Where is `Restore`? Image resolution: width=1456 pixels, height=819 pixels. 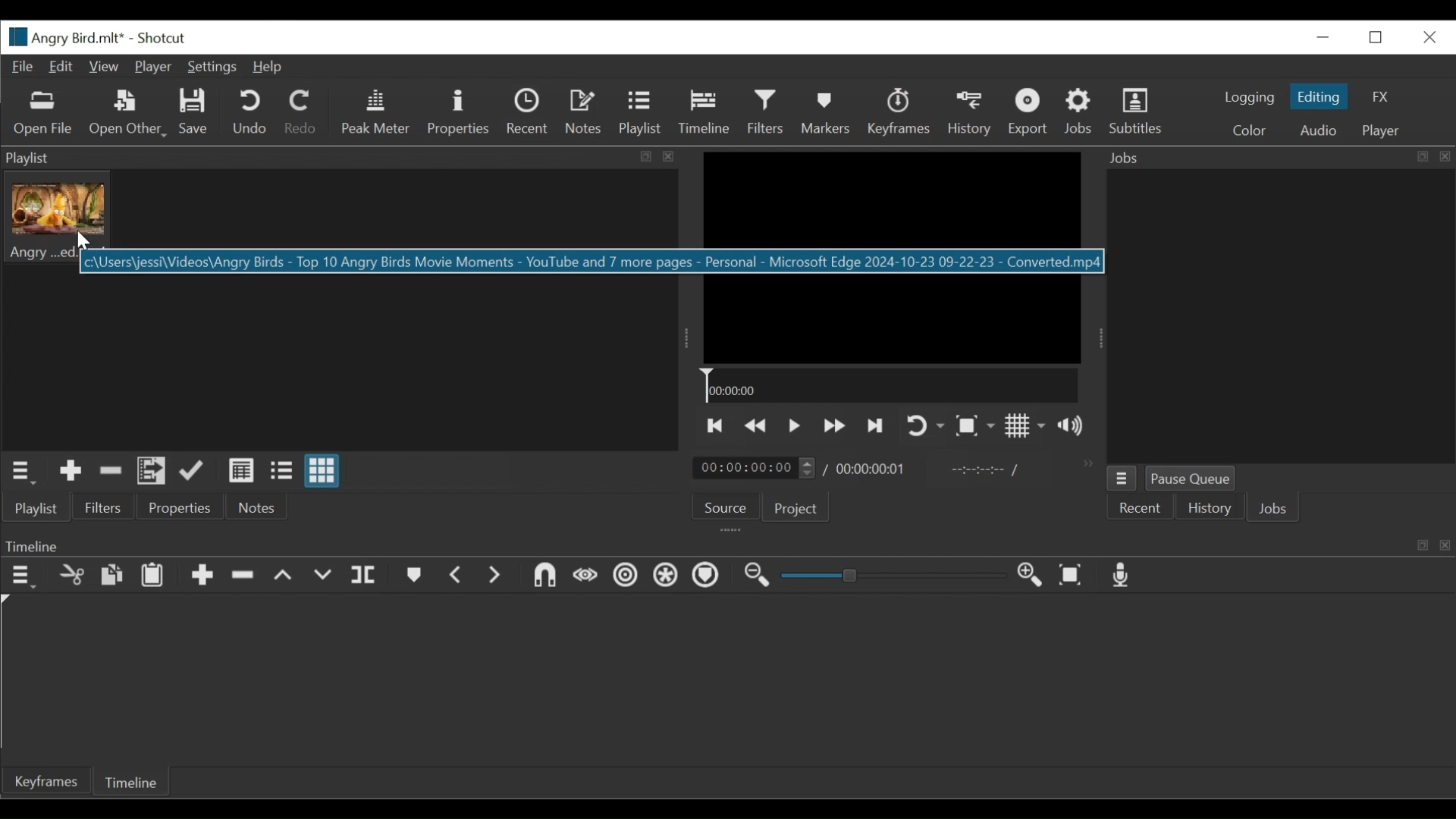
Restore is located at coordinates (1376, 38).